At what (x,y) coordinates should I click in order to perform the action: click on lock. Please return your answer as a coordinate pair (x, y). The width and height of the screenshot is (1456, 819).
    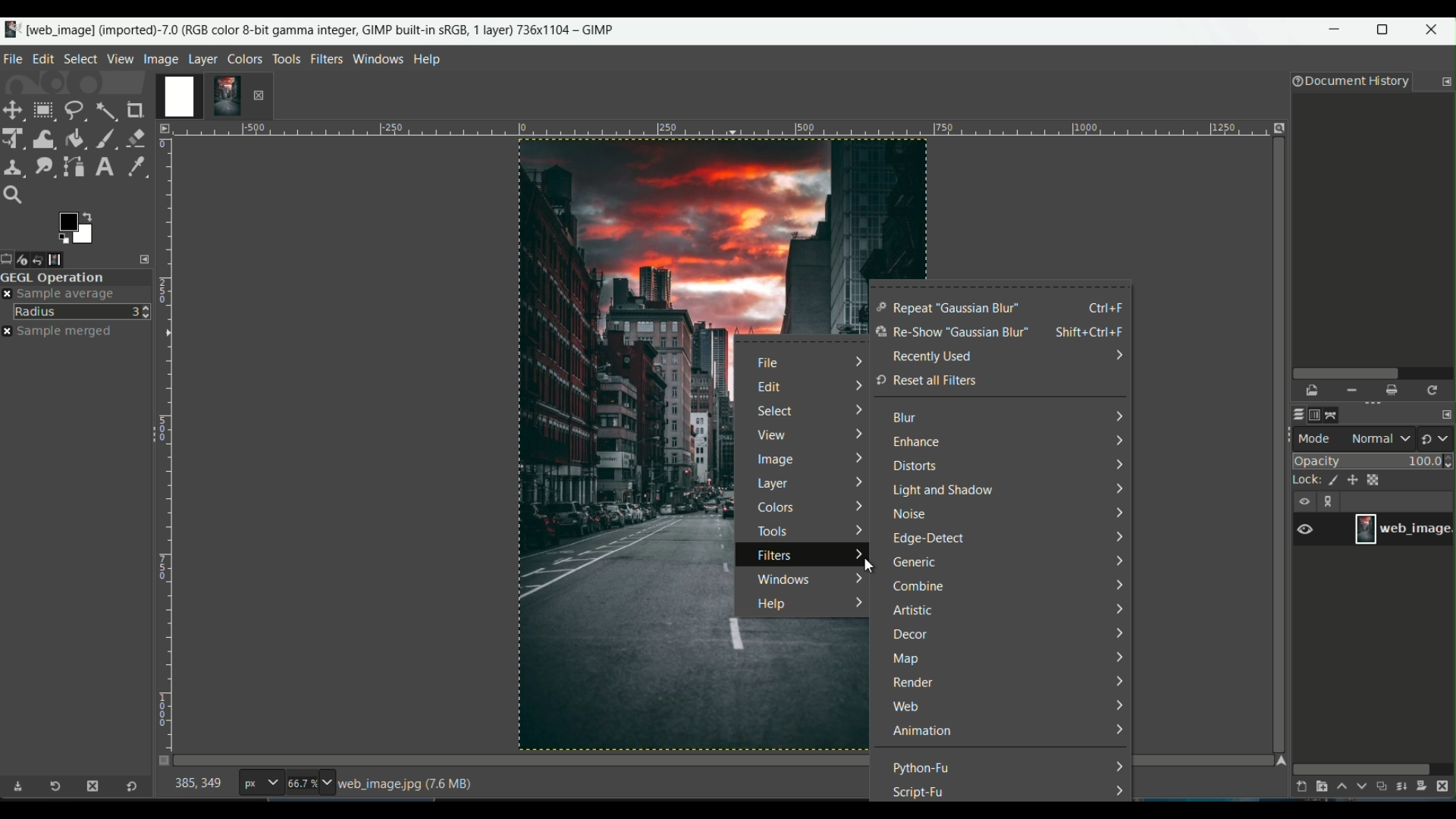
    Looking at the image, I should click on (1301, 482).